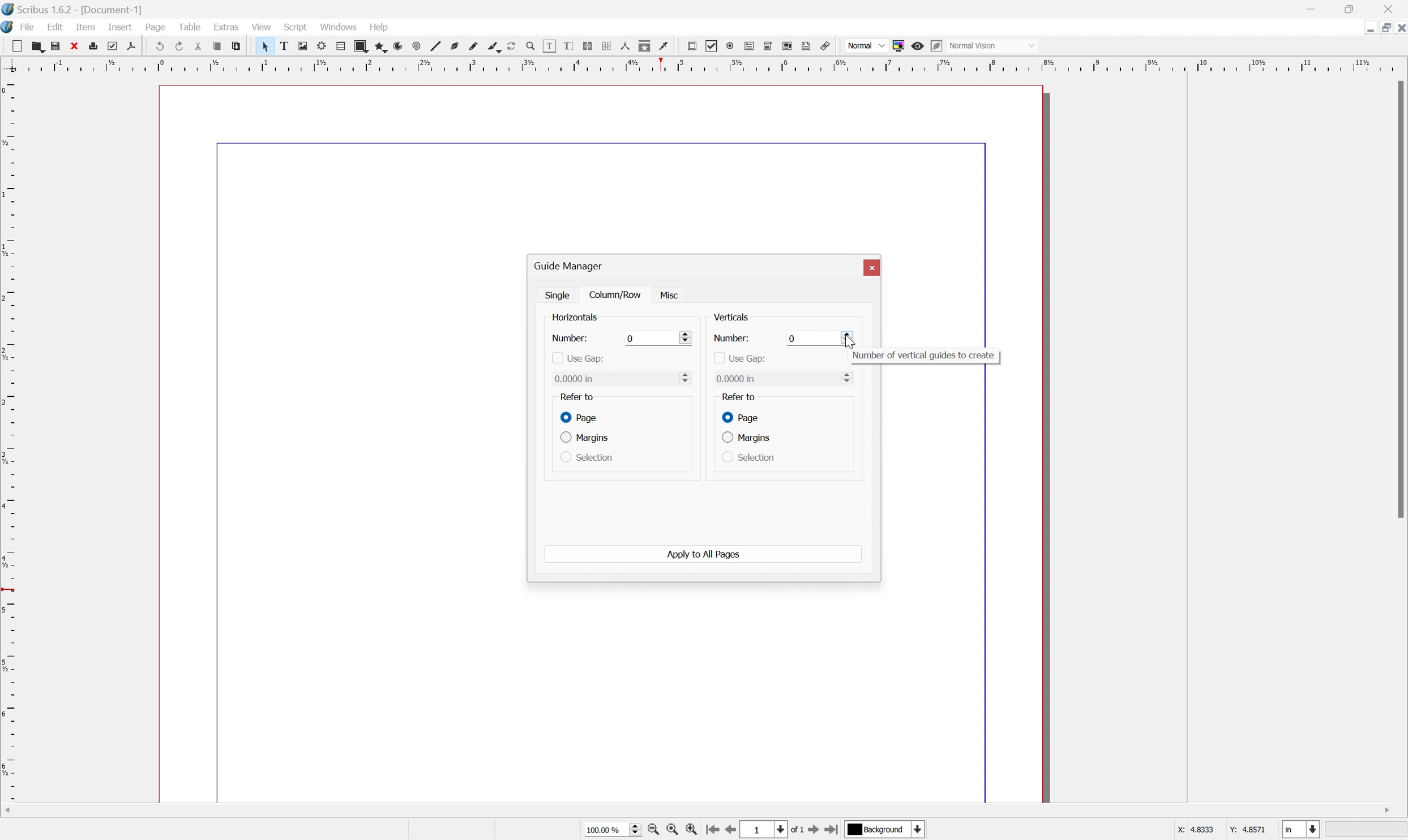  What do you see at coordinates (692, 829) in the screenshot?
I see `zoom in` at bounding box center [692, 829].